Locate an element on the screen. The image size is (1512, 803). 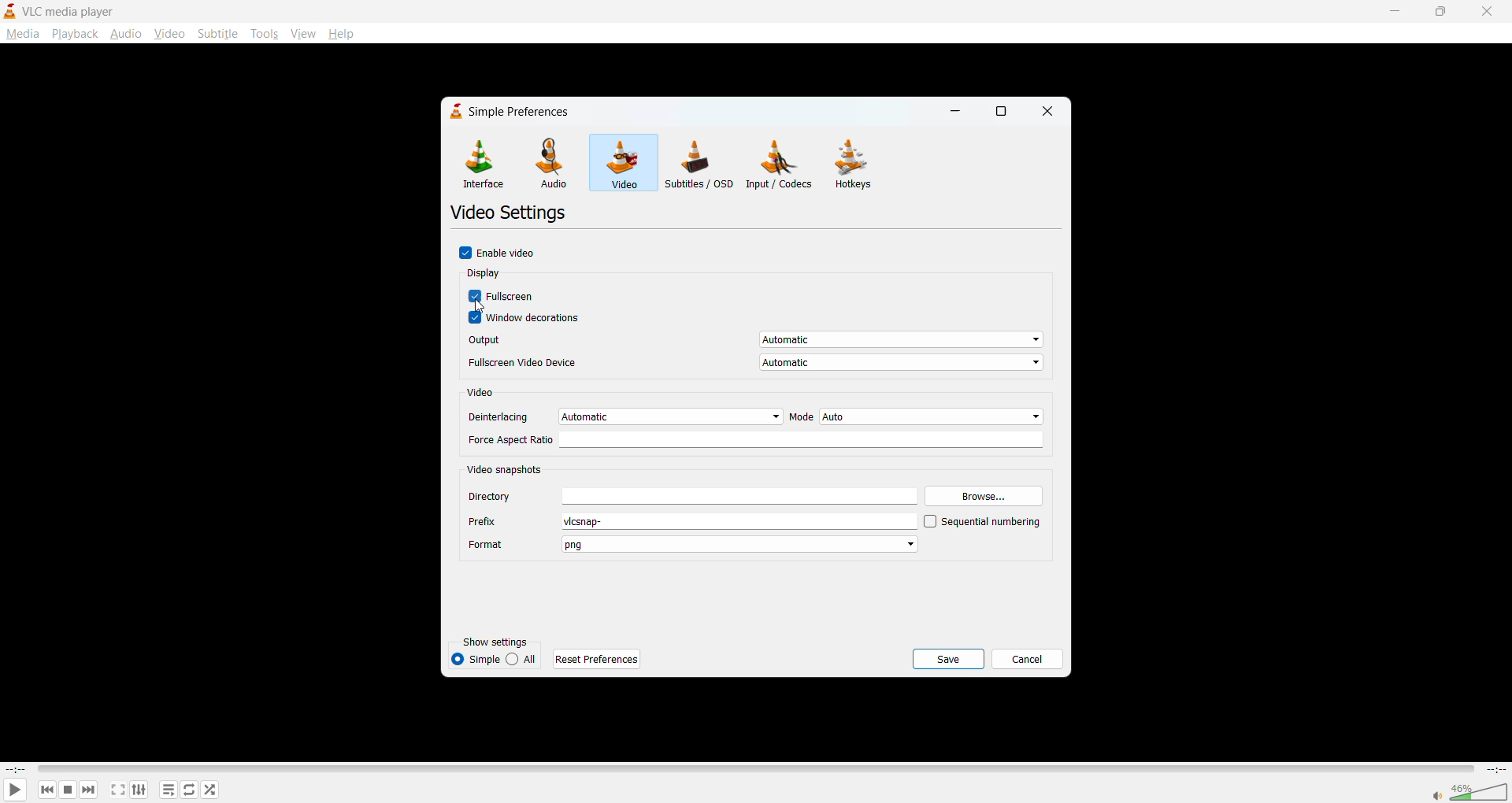
audio is located at coordinates (553, 163).